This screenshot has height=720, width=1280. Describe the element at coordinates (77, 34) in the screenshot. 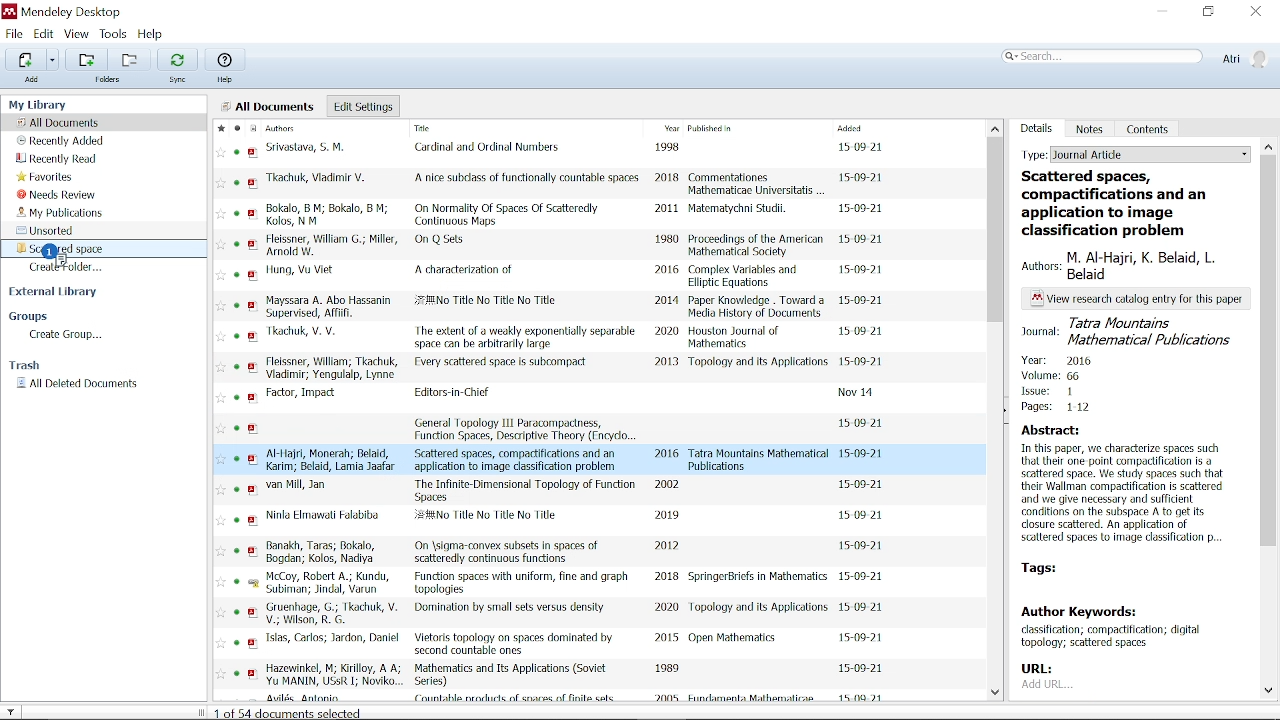

I see `View` at that location.